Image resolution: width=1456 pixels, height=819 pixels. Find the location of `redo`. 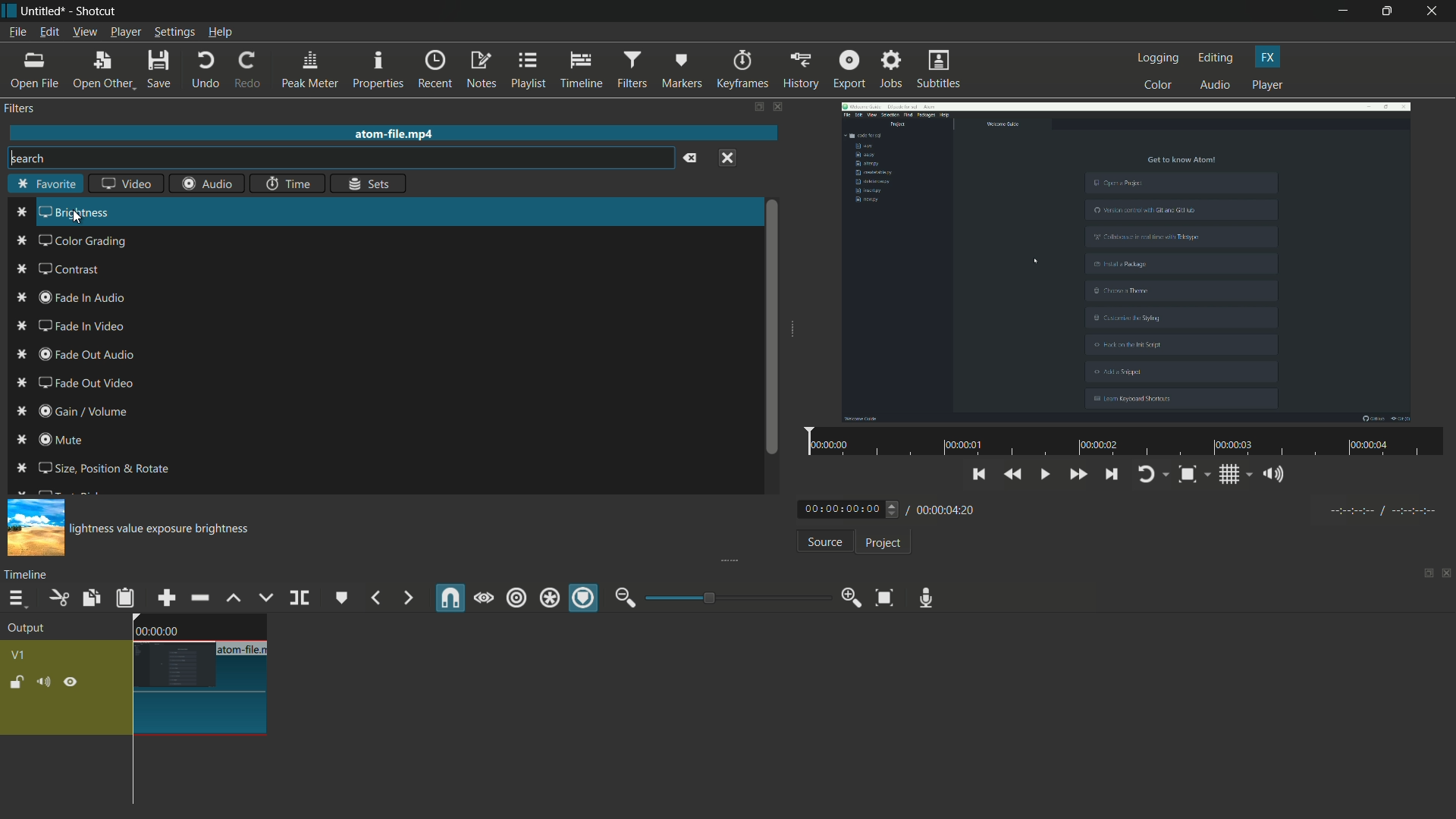

redo is located at coordinates (246, 70).